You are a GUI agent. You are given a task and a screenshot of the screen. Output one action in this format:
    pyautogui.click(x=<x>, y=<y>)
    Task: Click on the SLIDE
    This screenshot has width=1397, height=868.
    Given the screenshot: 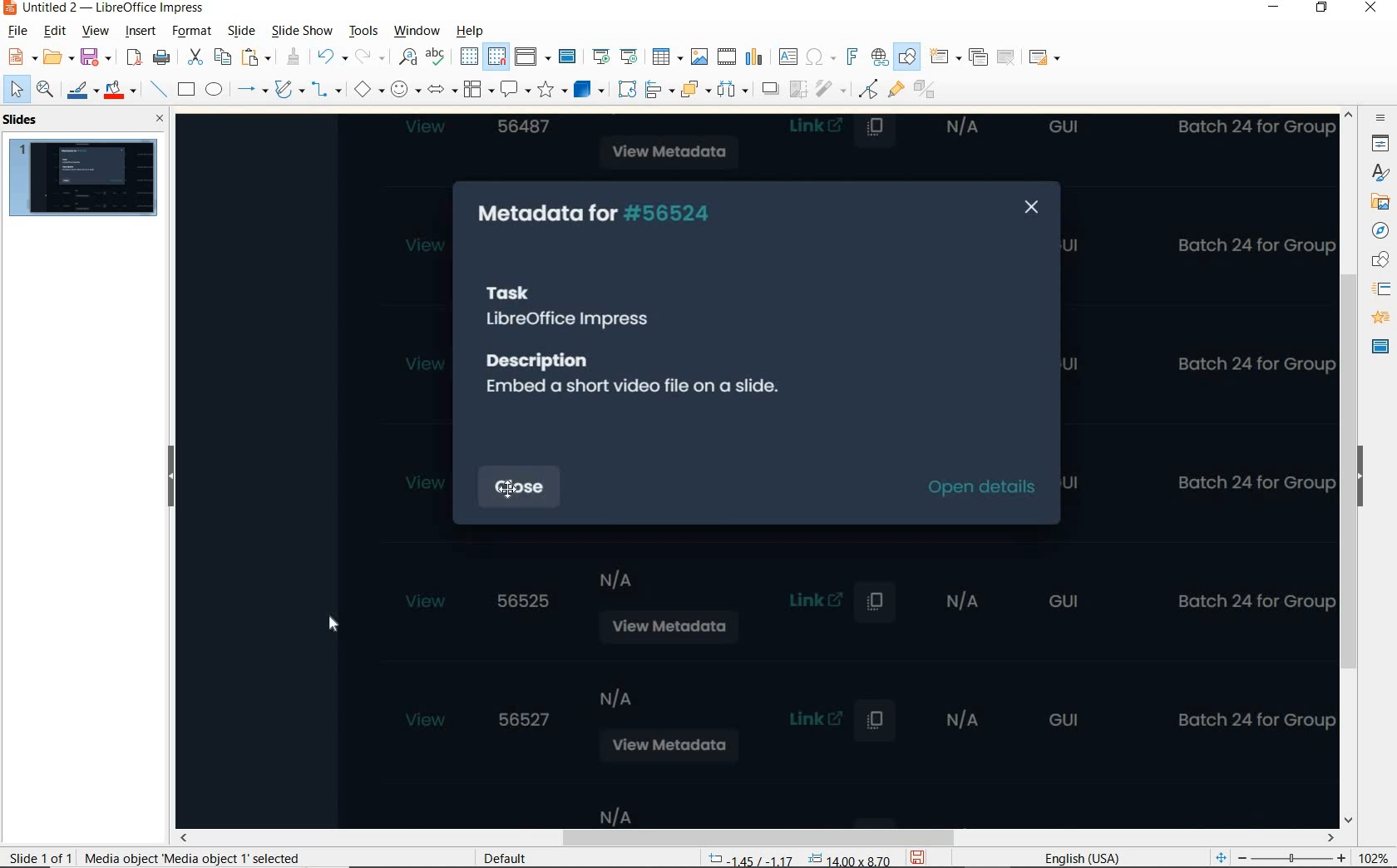 What is the action you would take?
    pyautogui.click(x=242, y=31)
    